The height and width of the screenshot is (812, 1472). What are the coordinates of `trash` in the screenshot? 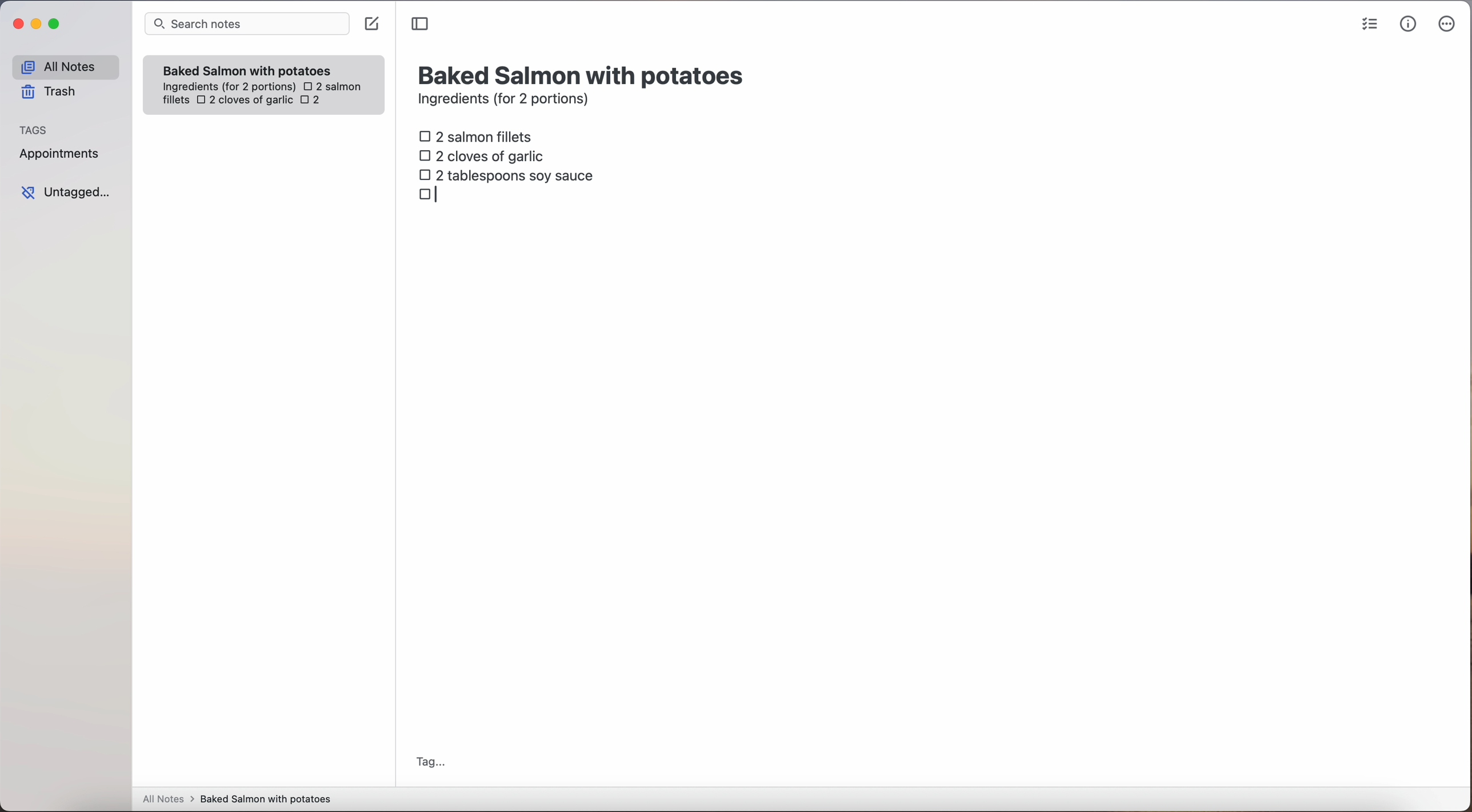 It's located at (53, 92).